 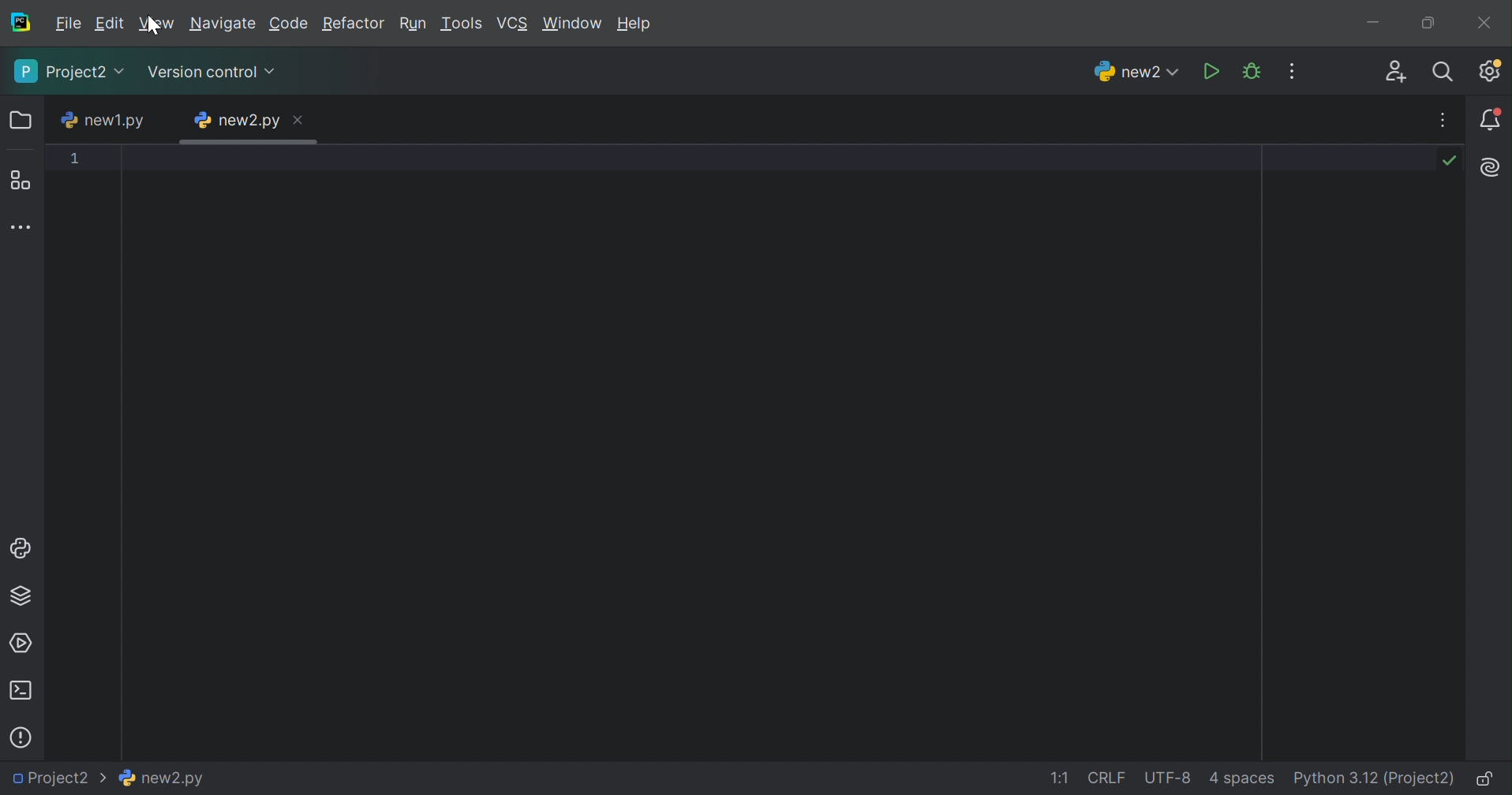 What do you see at coordinates (511, 21) in the screenshot?
I see `VCS` at bounding box center [511, 21].